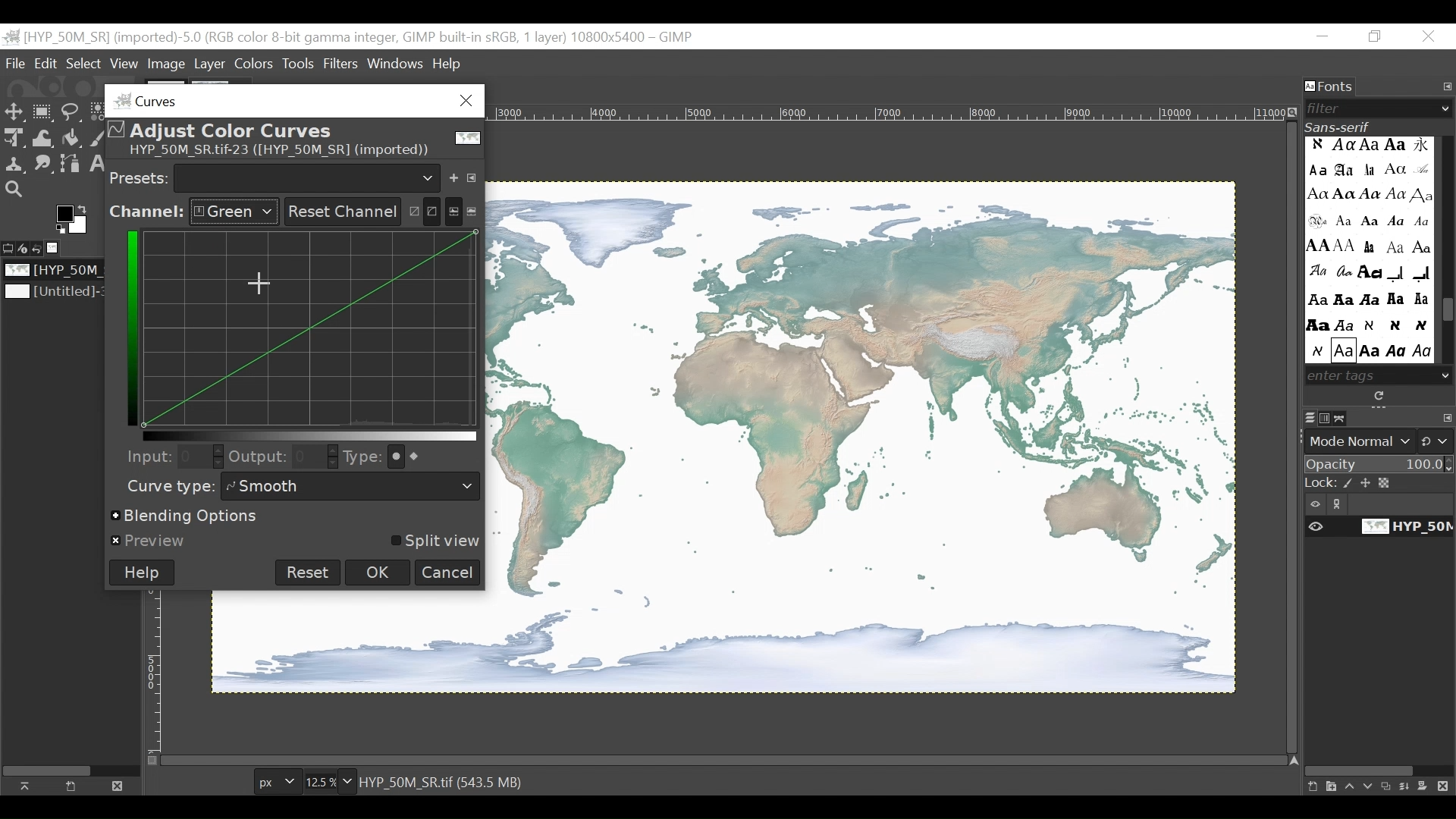 The image size is (1456, 819). What do you see at coordinates (25, 247) in the screenshot?
I see `Device status` at bounding box center [25, 247].